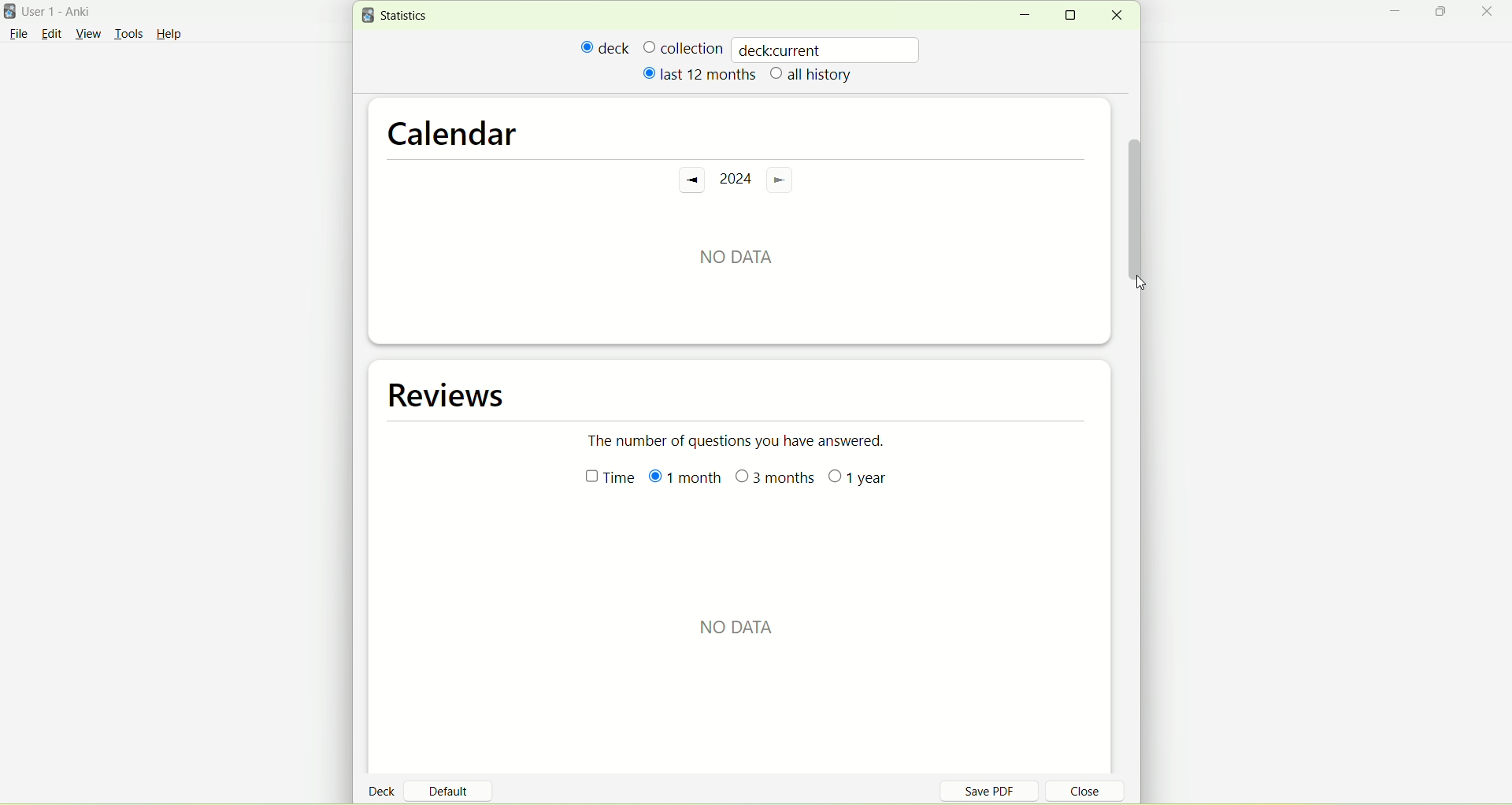 This screenshot has height=805, width=1512. What do you see at coordinates (606, 47) in the screenshot?
I see `deck` at bounding box center [606, 47].